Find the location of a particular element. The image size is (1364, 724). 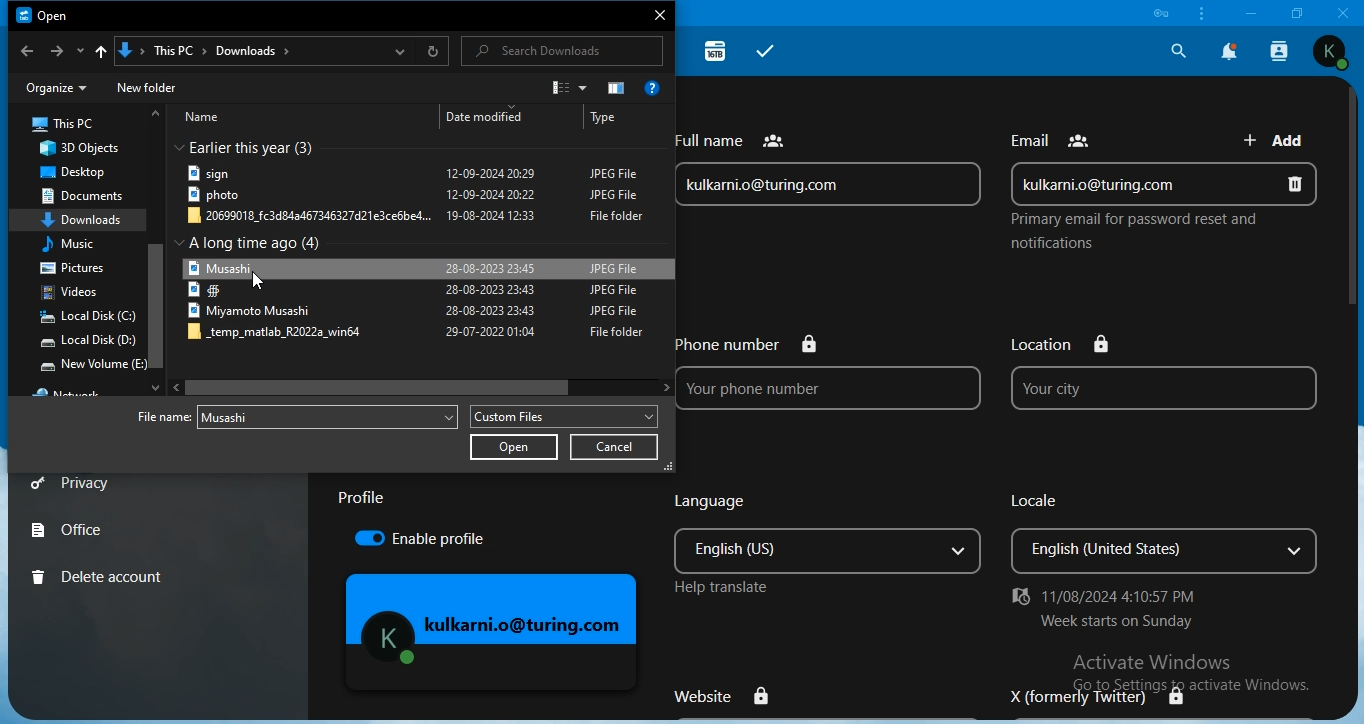

text is located at coordinates (1123, 610).